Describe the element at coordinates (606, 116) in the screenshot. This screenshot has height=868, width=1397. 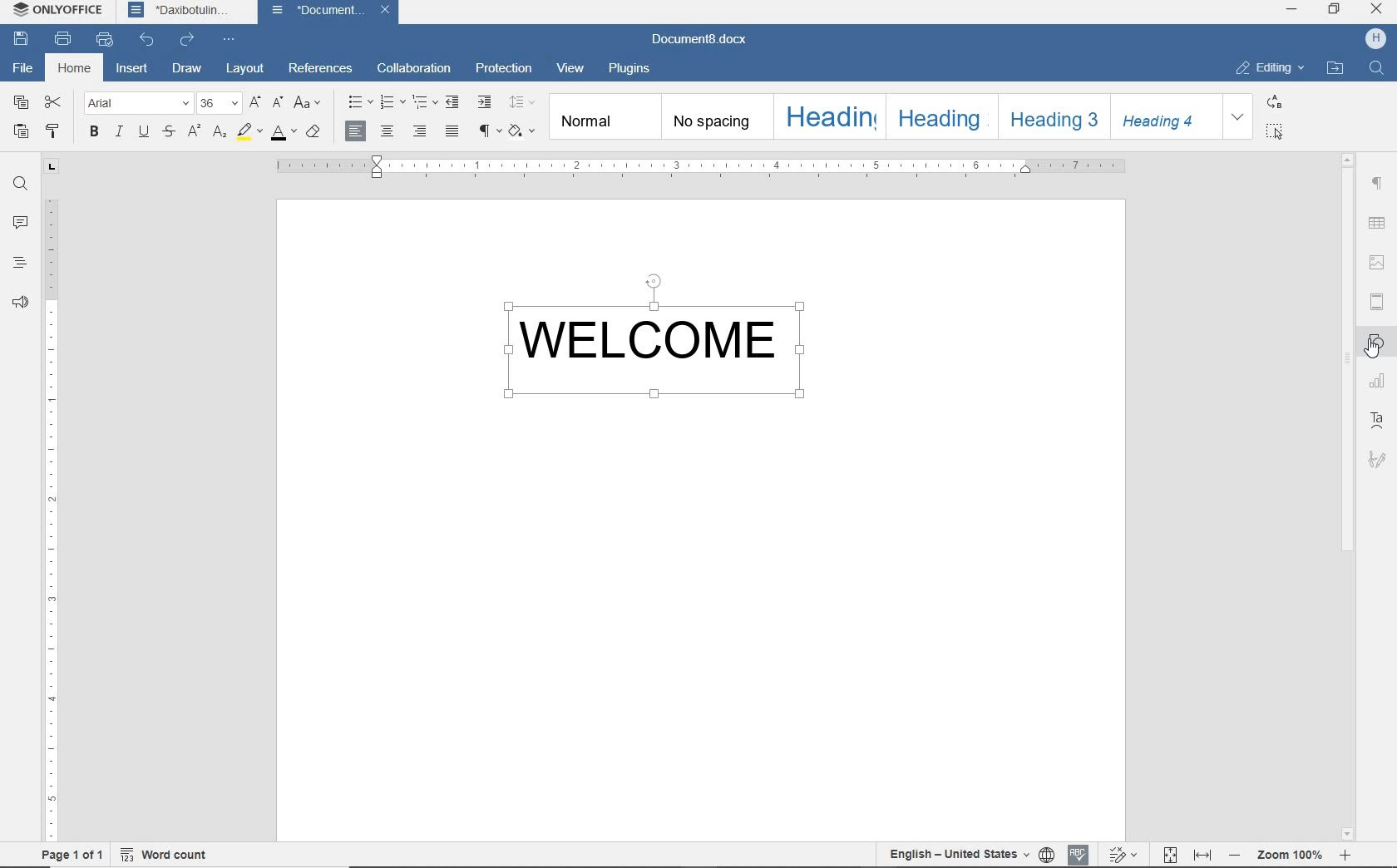
I see `NORMAL` at that location.